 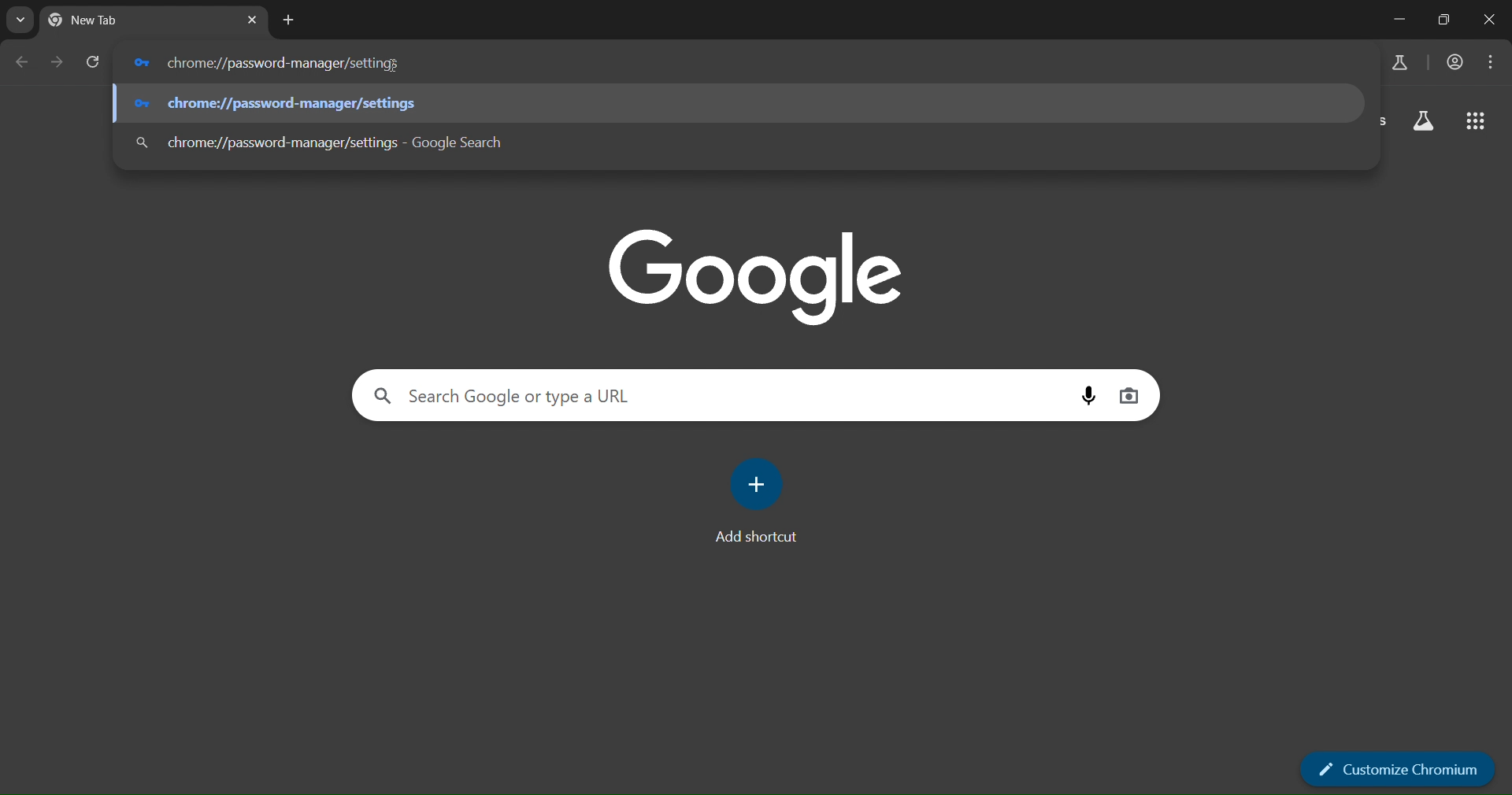 What do you see at coordinates (758, 500) in the screenshot?
I see `add shortcut` at bounding box center [758, 500].